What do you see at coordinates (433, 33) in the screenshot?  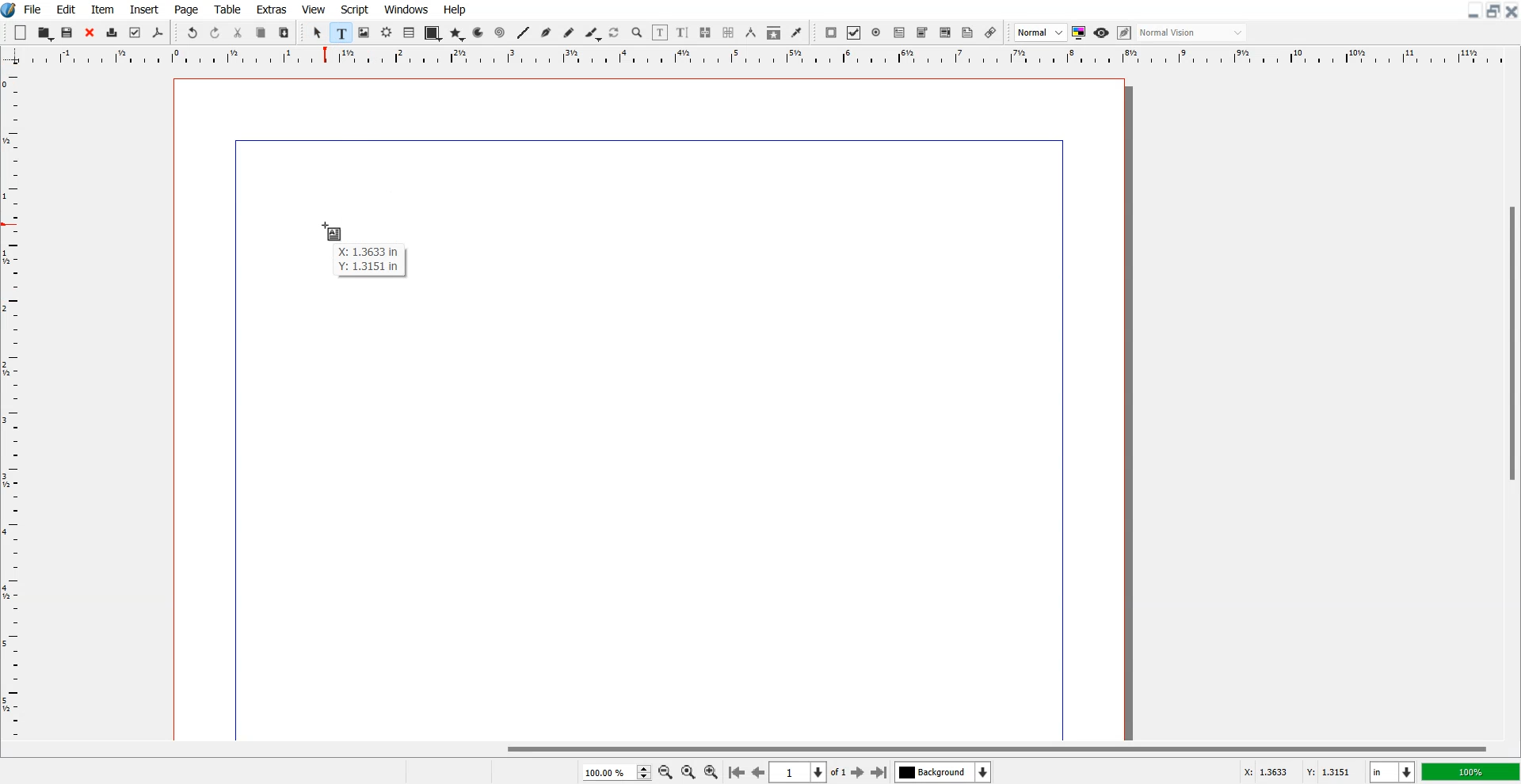 I see `Shape` at bounding box center [433, 33].